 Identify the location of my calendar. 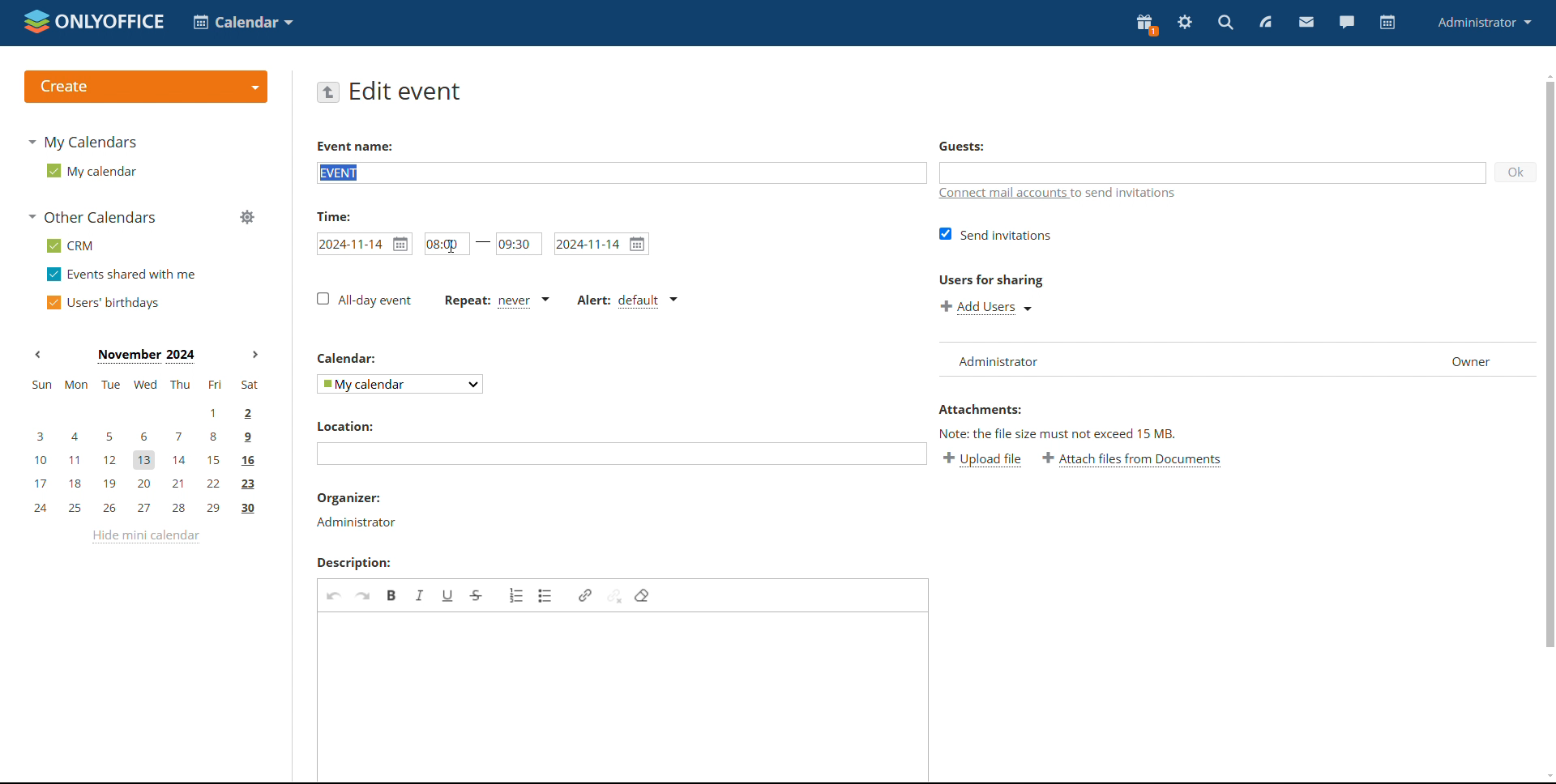
(91, 170).